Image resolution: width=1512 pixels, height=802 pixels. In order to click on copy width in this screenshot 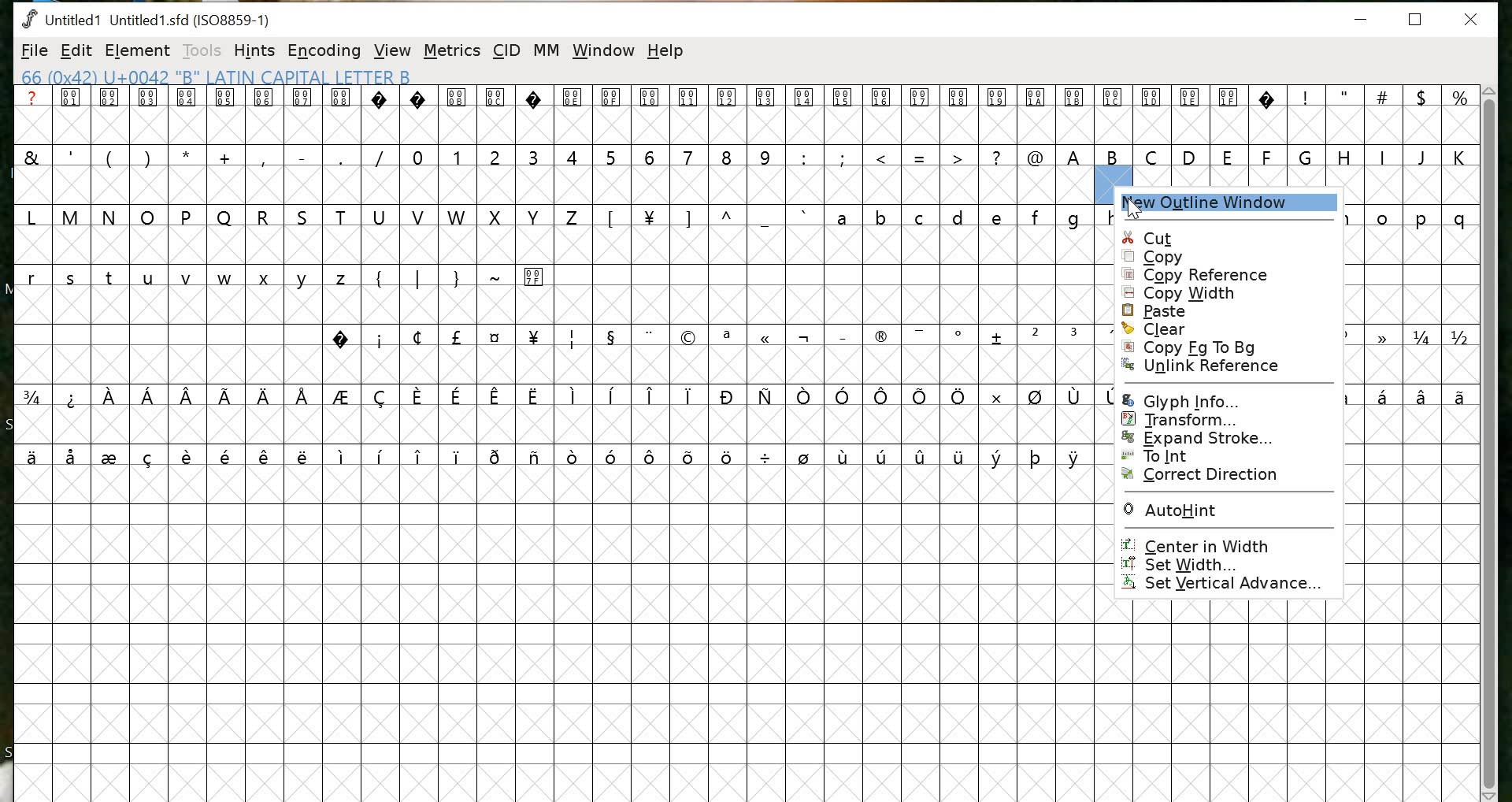, I will do `click(1230, 294)`.